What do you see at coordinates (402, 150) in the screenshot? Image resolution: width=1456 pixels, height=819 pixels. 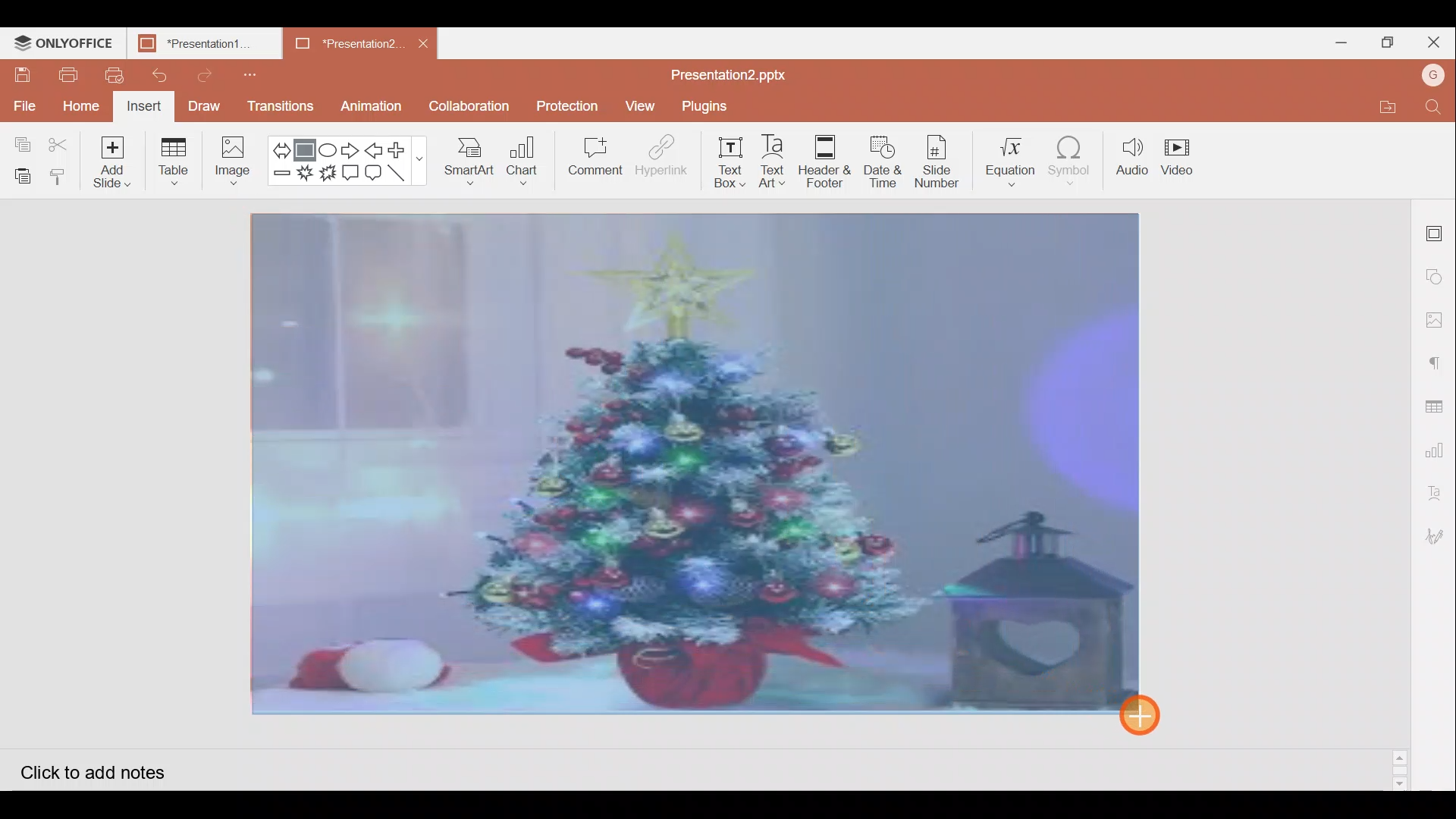 I see `Plus` at bounding box center [402, 150].